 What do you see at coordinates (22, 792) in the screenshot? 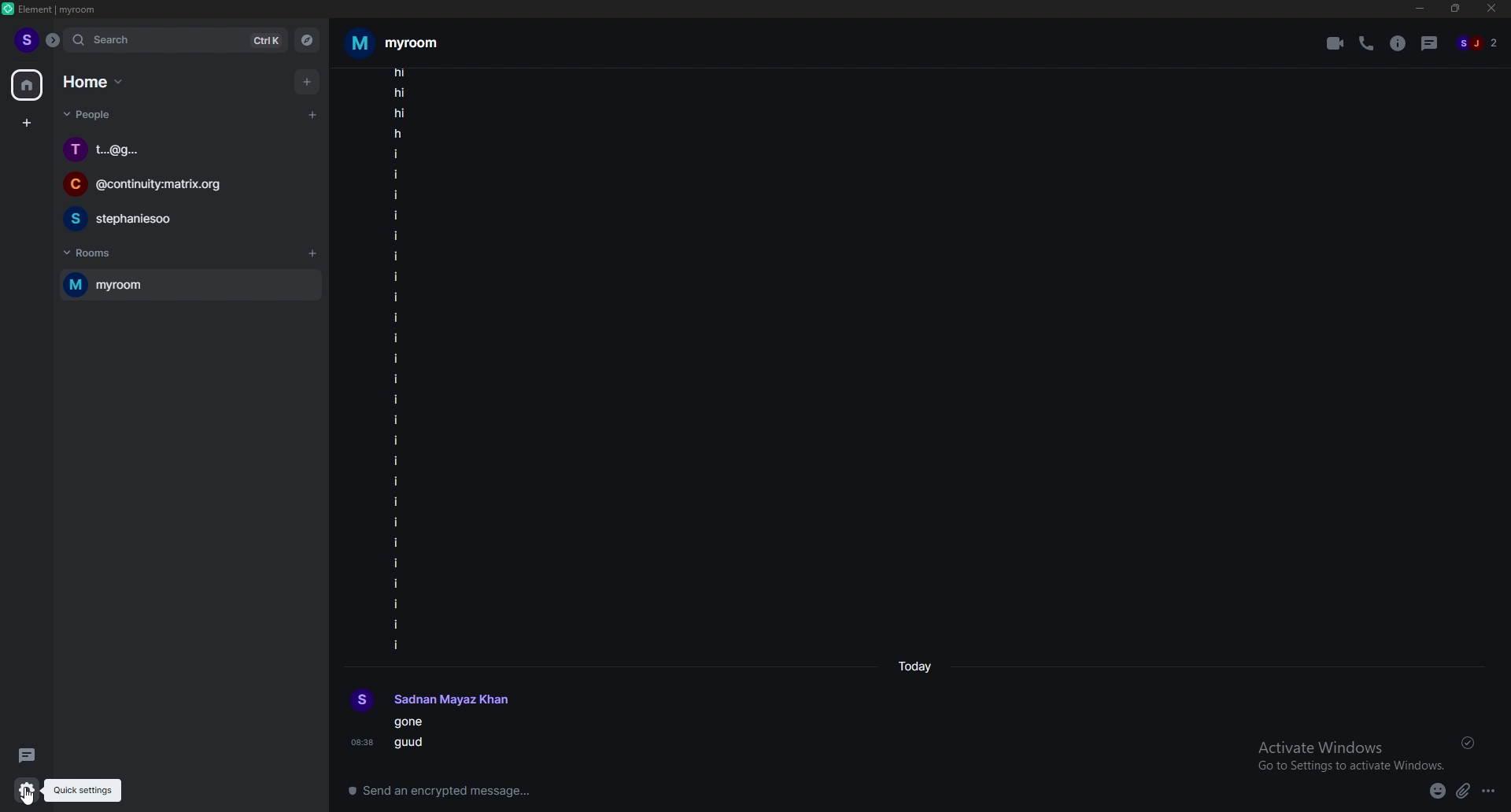
I see `settings` at bounding box center [22, 792].